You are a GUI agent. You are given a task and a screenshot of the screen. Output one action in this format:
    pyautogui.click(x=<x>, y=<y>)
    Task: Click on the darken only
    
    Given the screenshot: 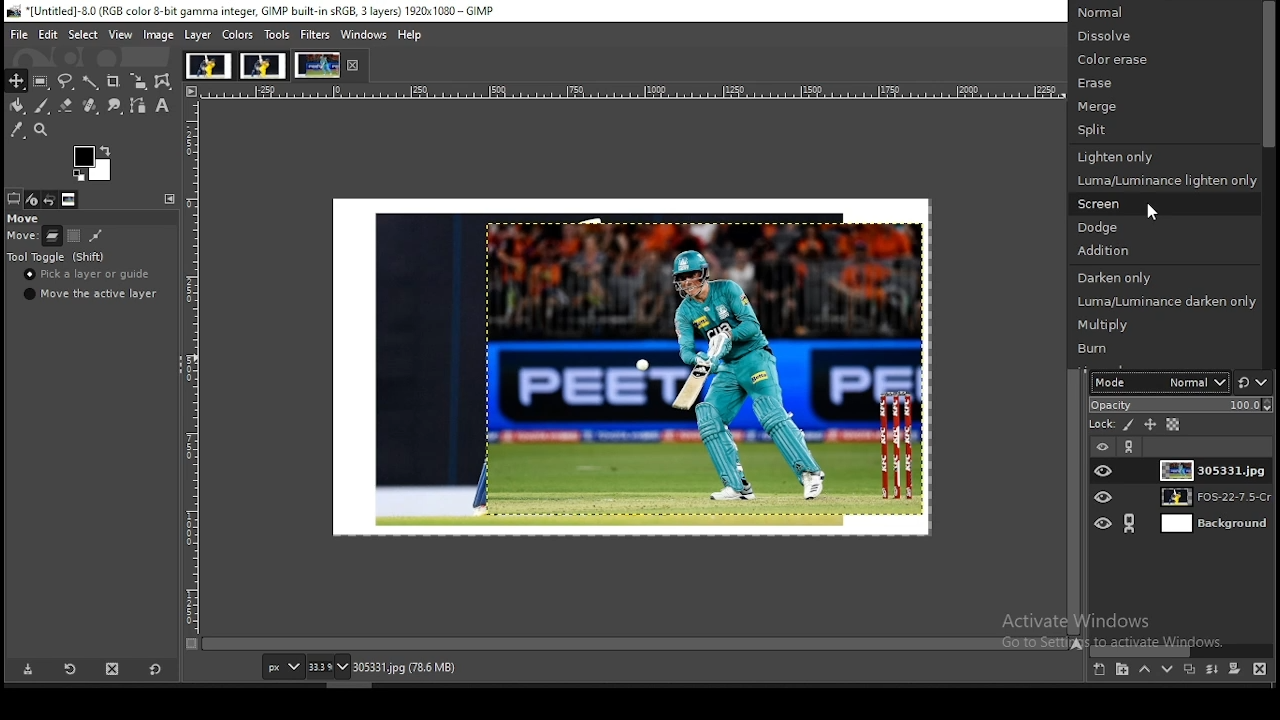 What is the action you would take?
    pyautogui.click(x=1164, y=277)
    